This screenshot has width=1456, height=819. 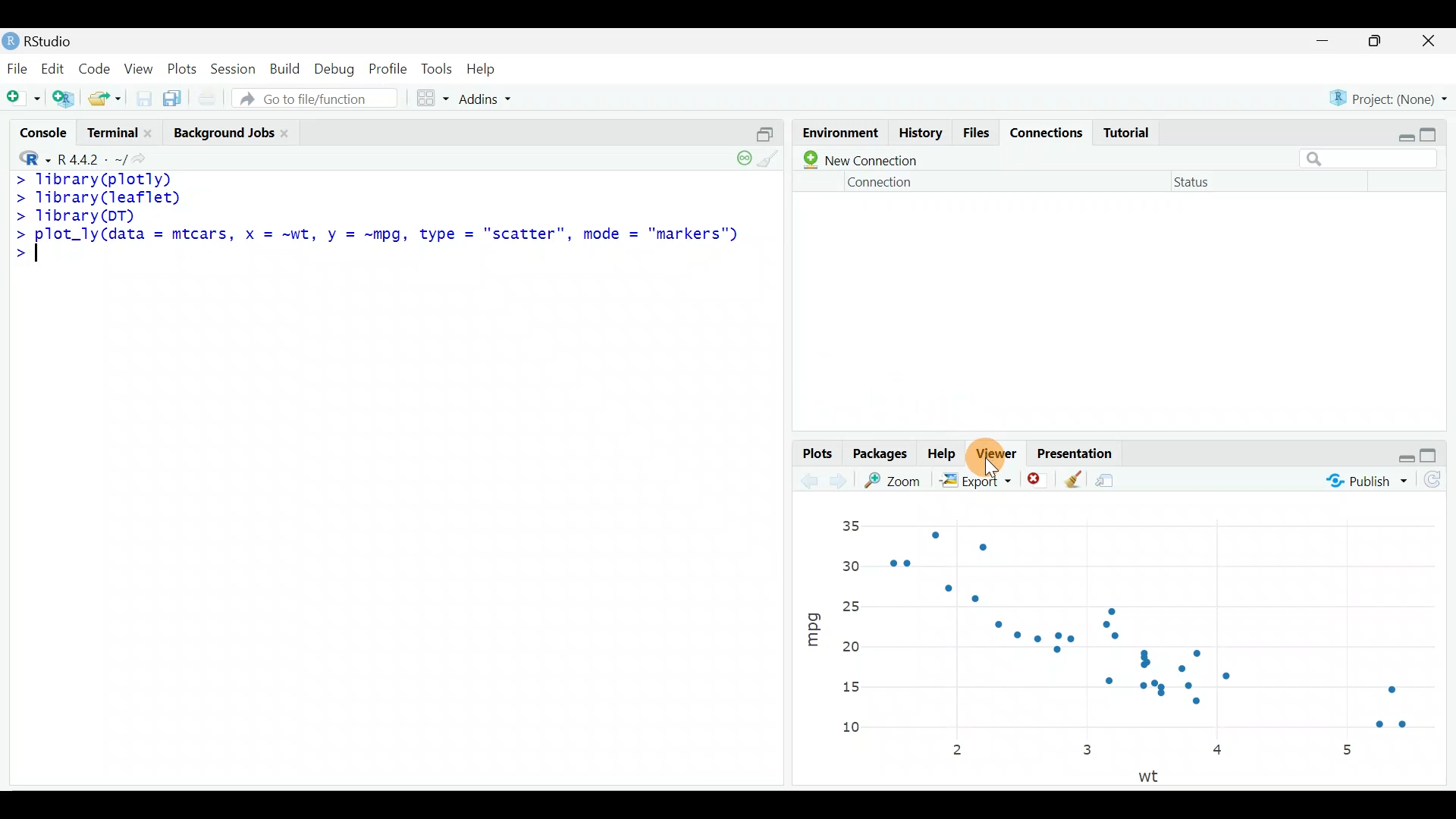 I want to click on mpg, so click(x=810, y=631).